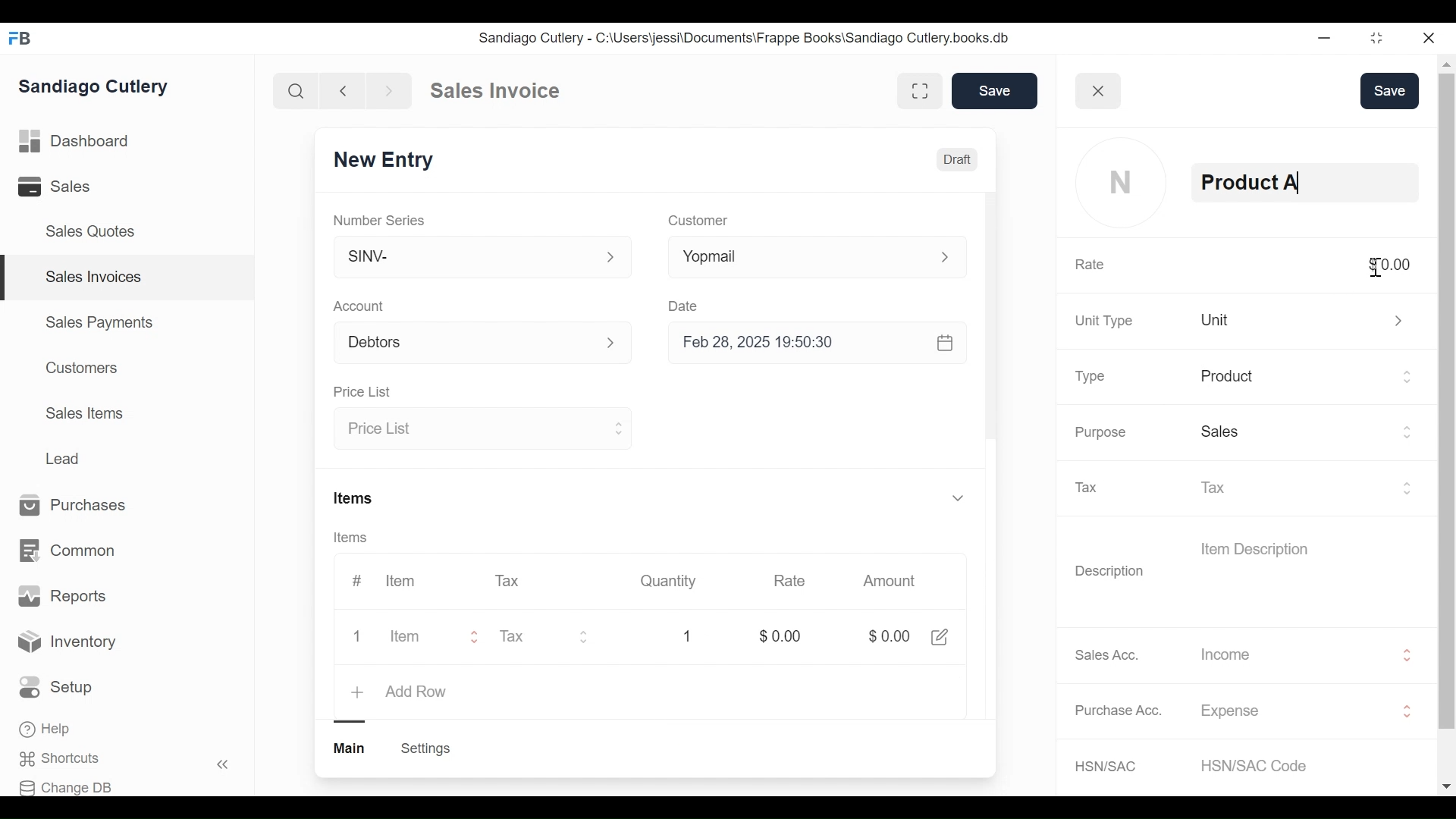 This screenshot has height=819, width=1456. I want to click on Tax, so click(510, 581).